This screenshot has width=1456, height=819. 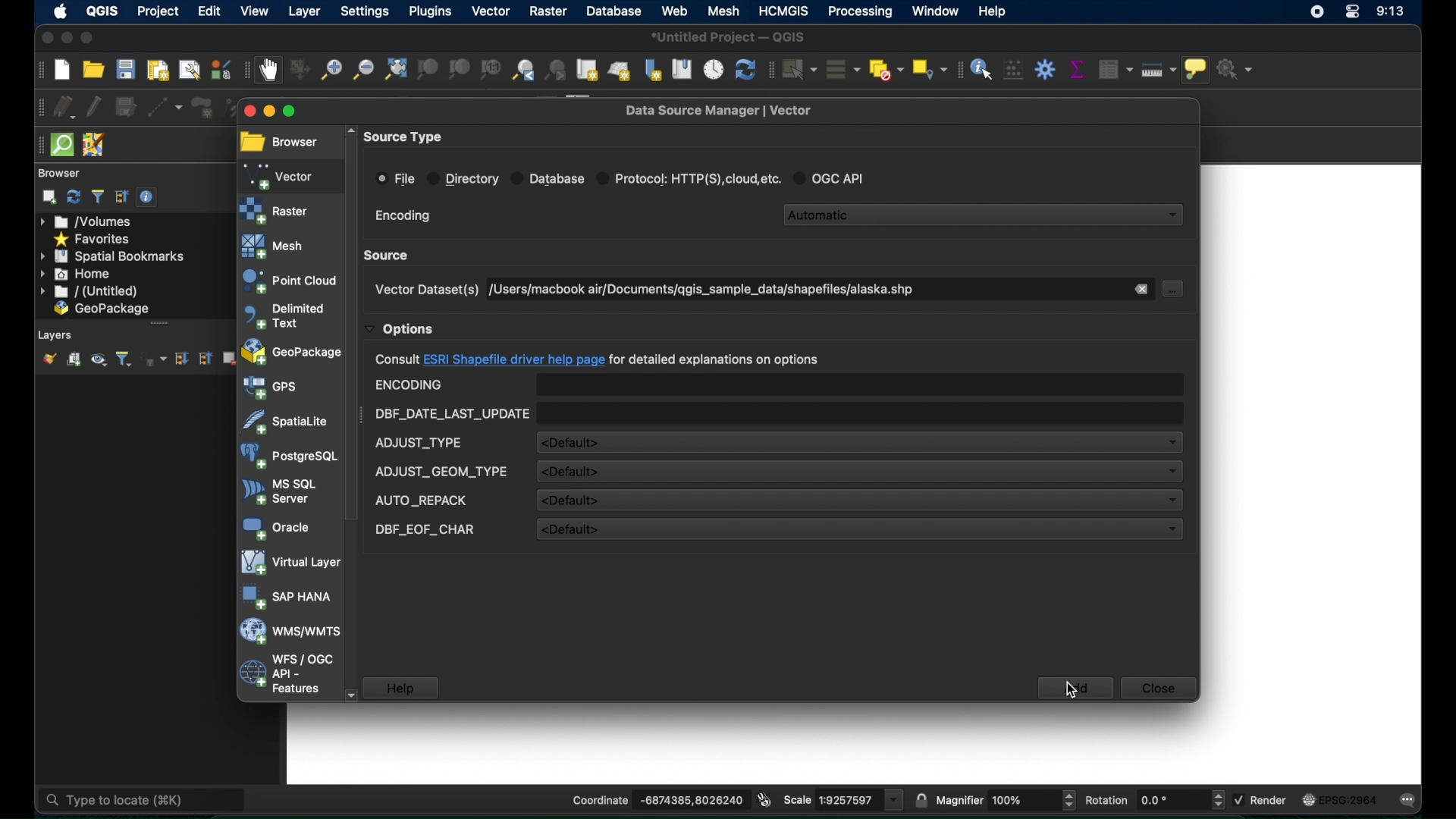 What do you see at coordinates (714, 68) in the screenshot?
I see `temporal controller panel` at bounding box center [714, 68].